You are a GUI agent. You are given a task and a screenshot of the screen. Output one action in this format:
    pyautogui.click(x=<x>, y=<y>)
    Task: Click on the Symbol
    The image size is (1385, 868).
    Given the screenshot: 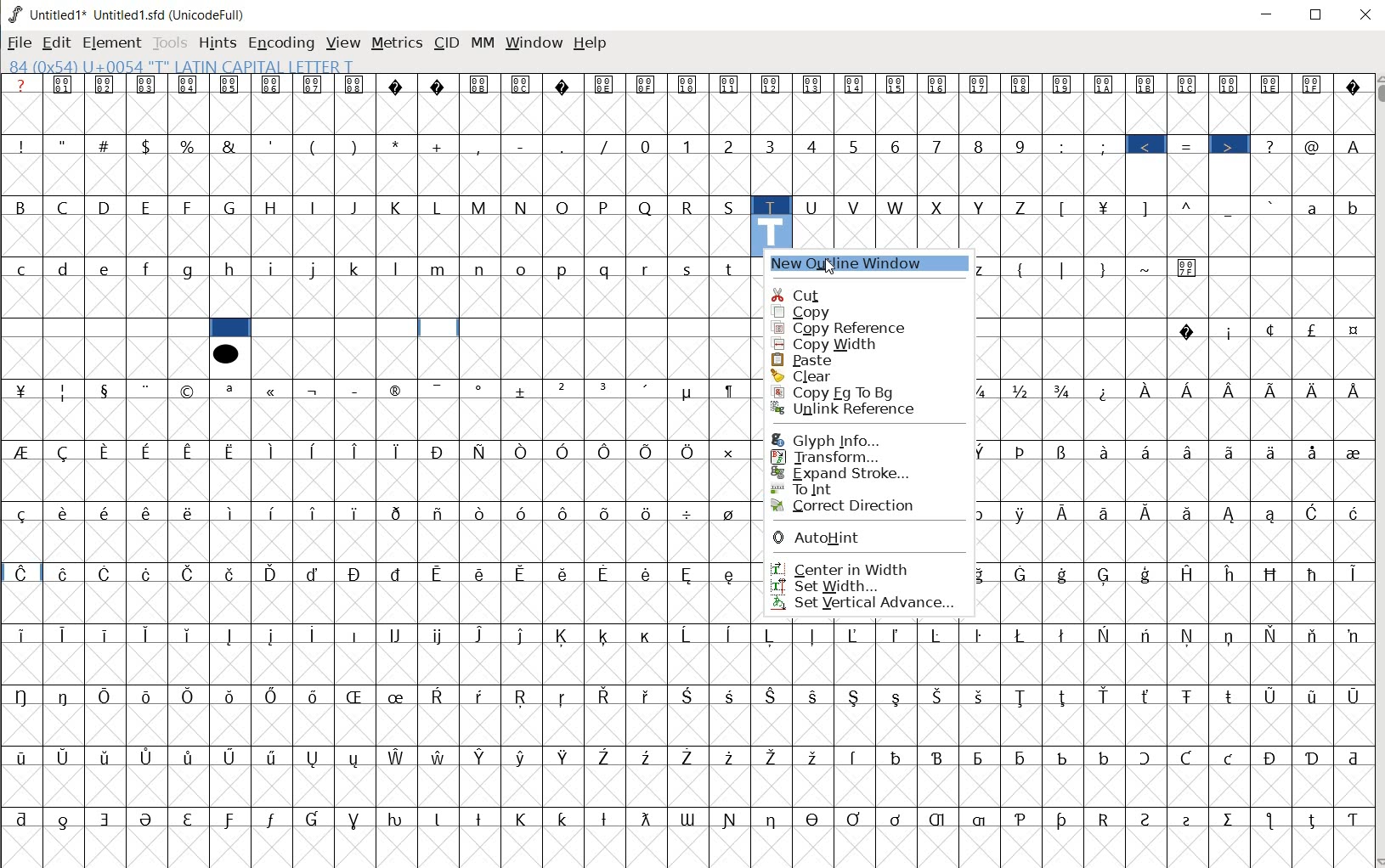 What is the action you would take?
    pyautogui.click(x=1275, y=389)
    